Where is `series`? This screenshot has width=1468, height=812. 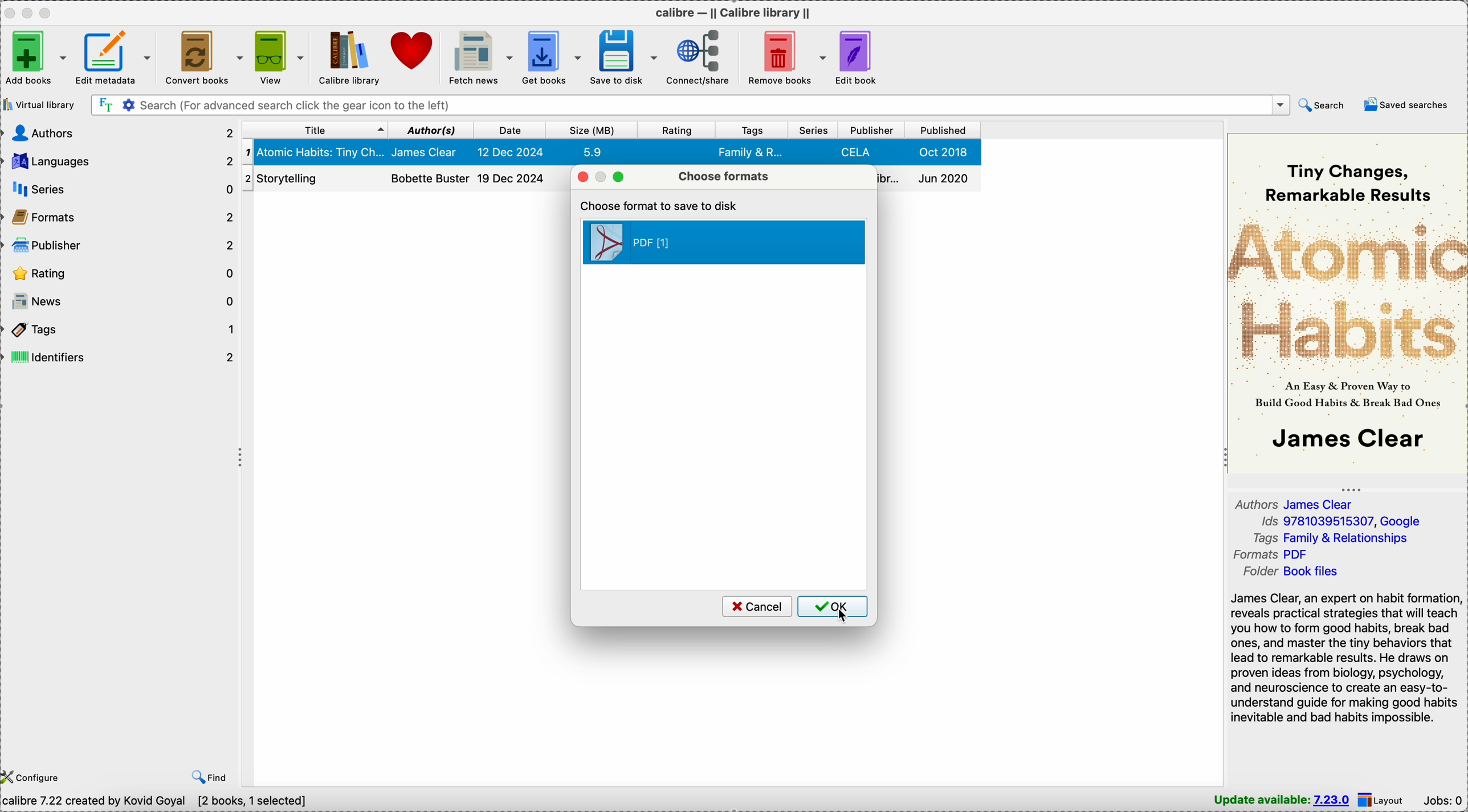 series is located at coordinates (121, 191).